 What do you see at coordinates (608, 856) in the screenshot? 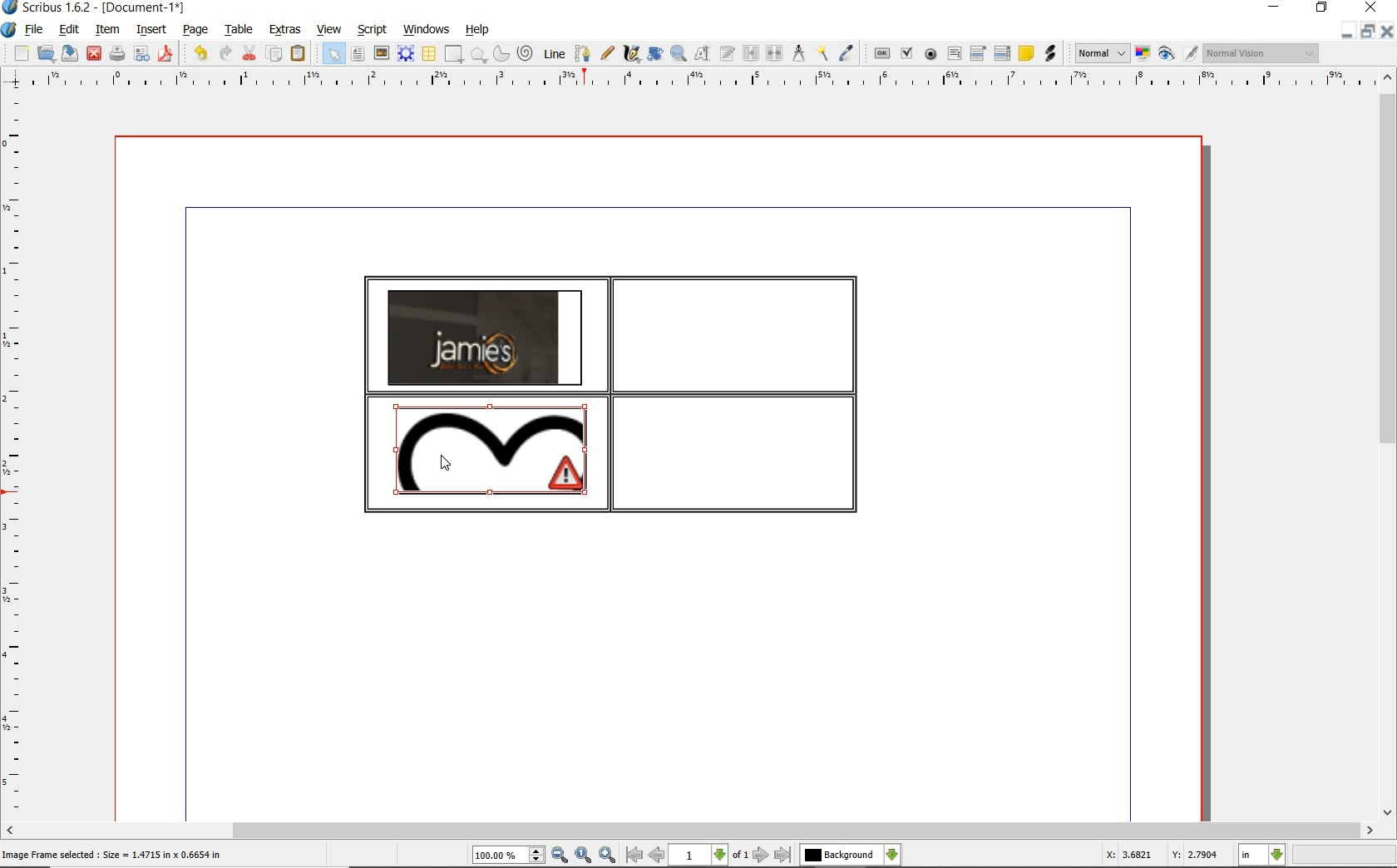
I see `zoom in` at bounding box center [608, 856].